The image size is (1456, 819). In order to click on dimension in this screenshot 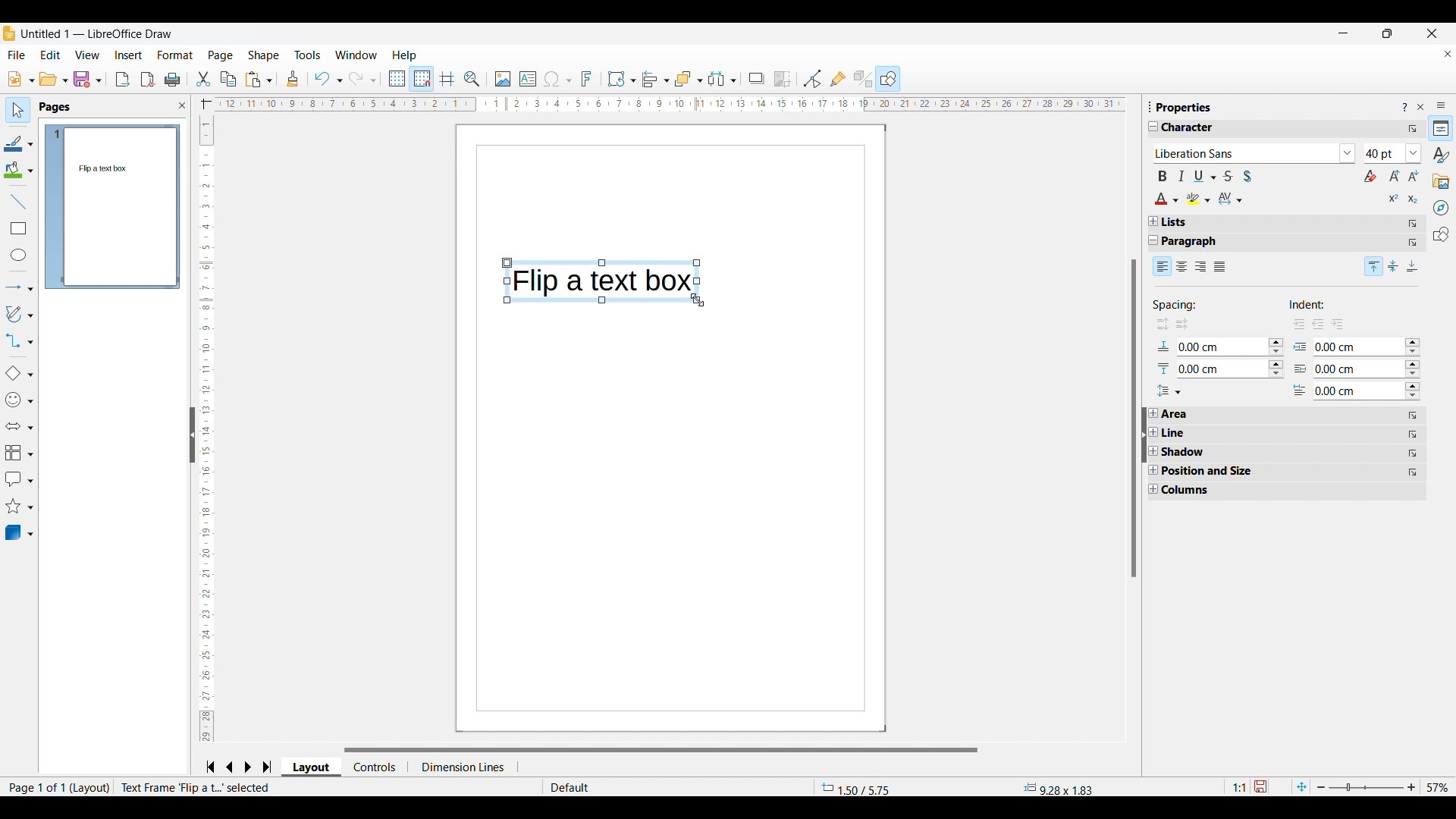, I will do `click(469, 765)`.